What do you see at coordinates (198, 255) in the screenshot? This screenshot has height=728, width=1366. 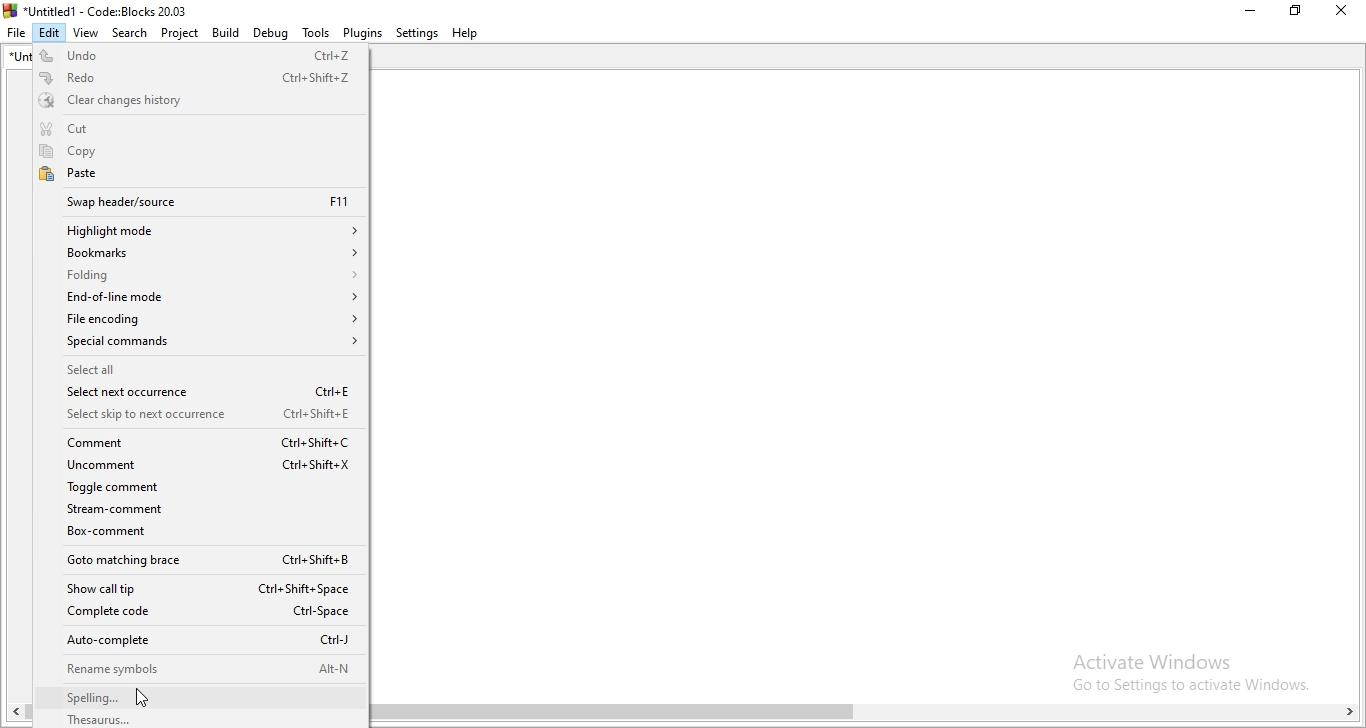 I see `Bookmarks` at bounding box center [198, 255].